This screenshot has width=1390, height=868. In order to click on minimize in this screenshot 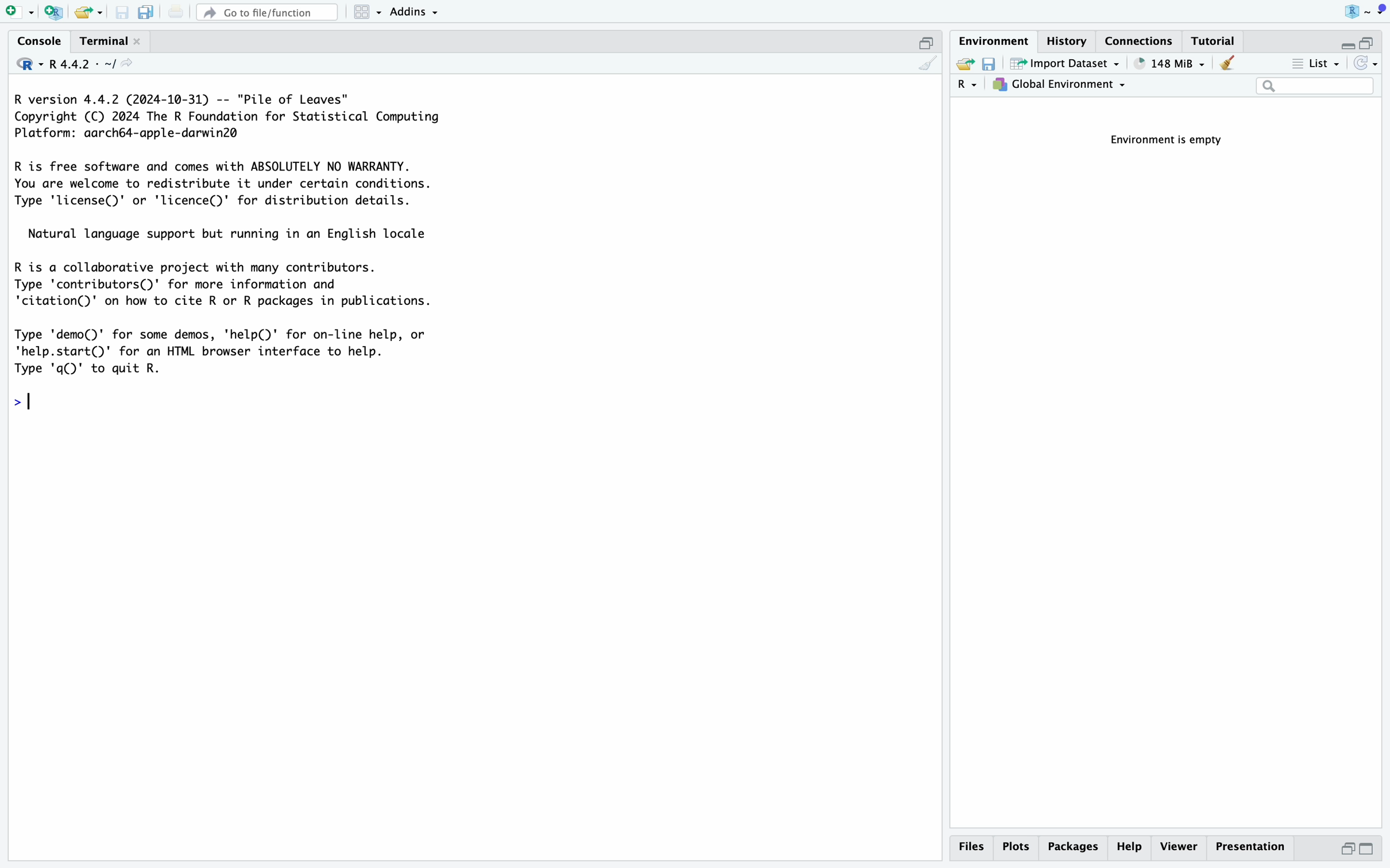, I will do `click(1342, 852)`.